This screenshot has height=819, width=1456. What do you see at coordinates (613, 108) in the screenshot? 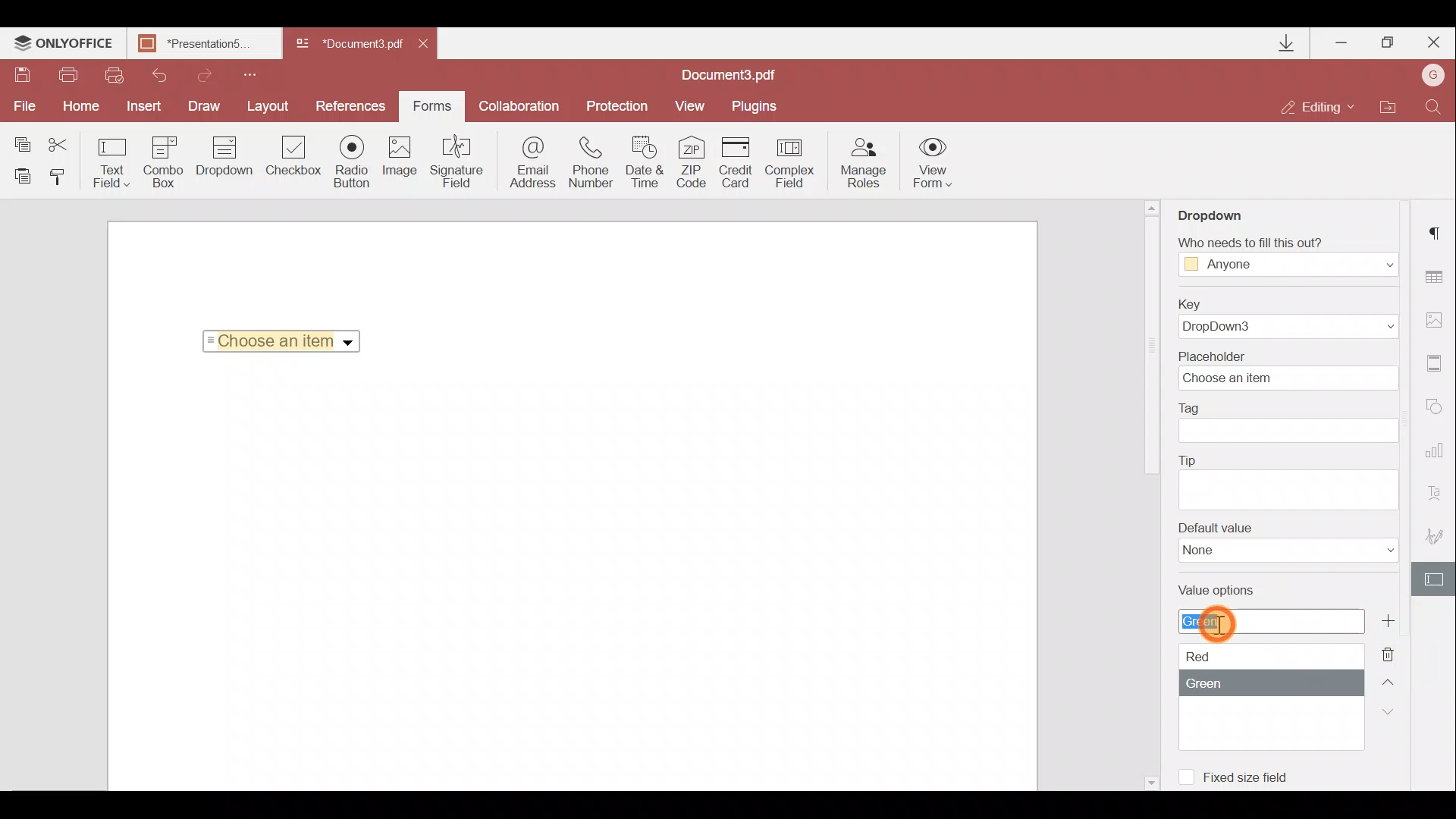
I see `Protection` at bounding box center [613, 108].